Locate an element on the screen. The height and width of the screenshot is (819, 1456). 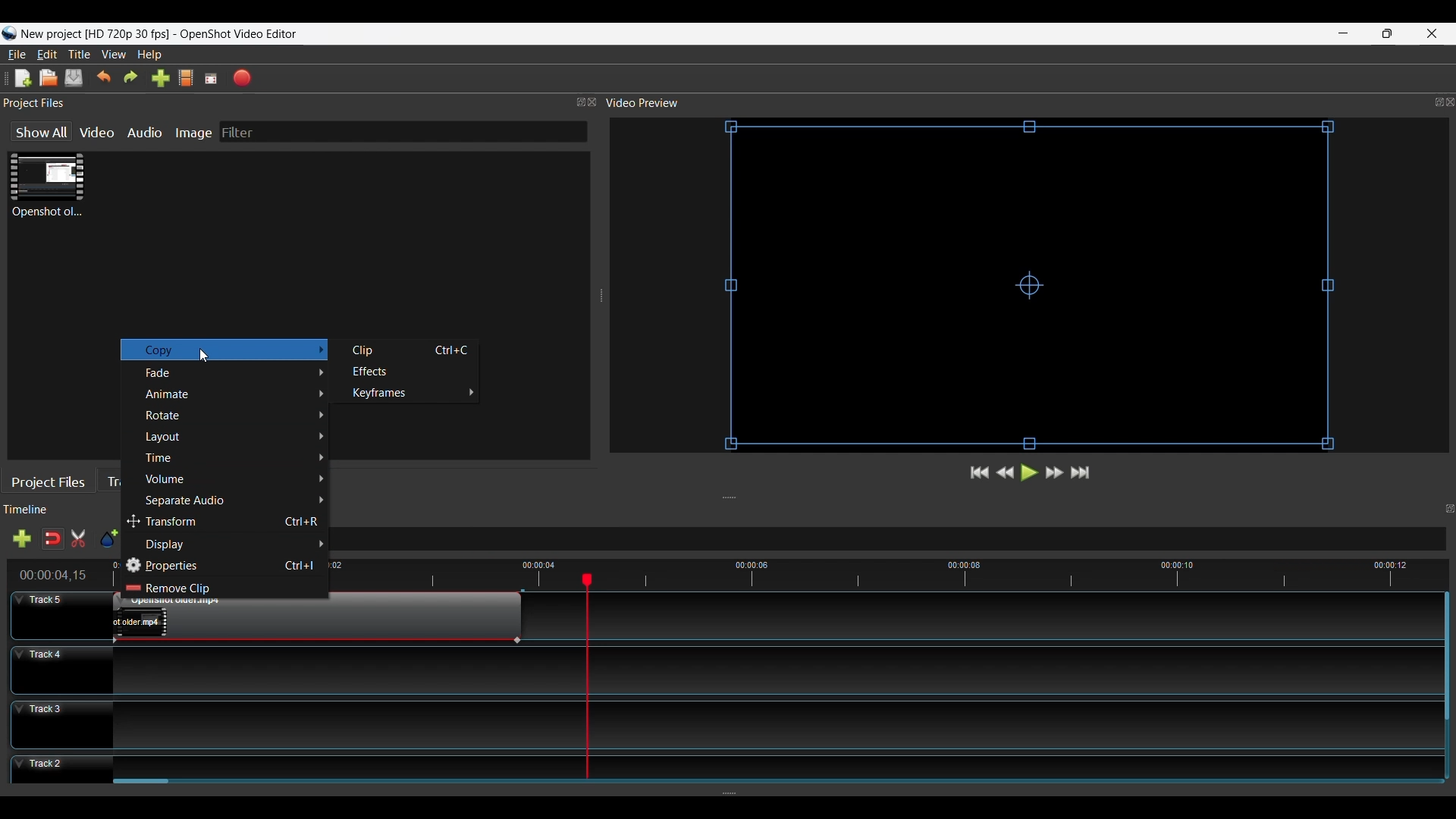
Fade is located at coordinates (233, 373).